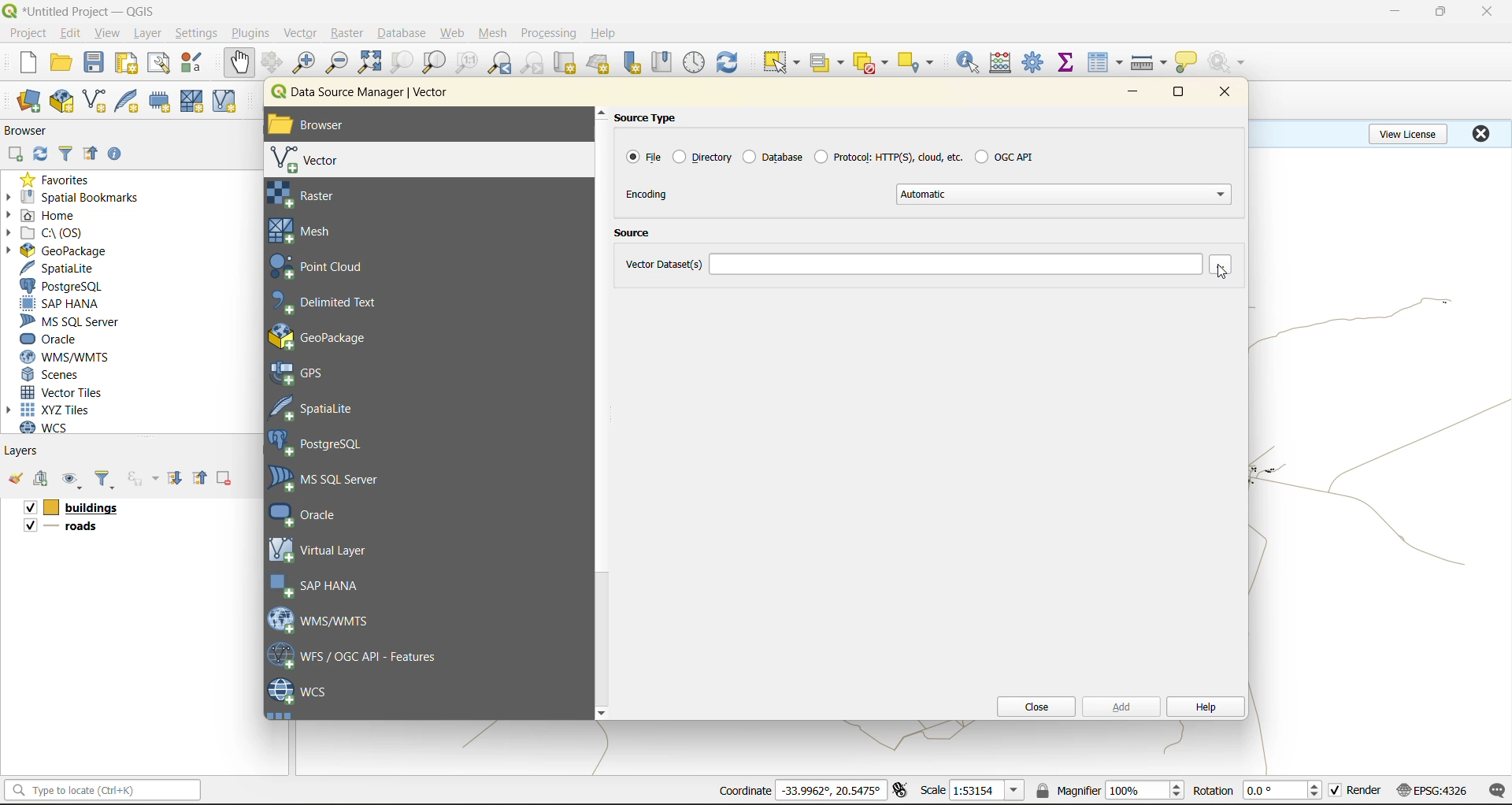 The height and width of the screenshot is (805, 1512). Describe the element at coordinates (37, 156) in the screenshot. I see `refresh` at that location.